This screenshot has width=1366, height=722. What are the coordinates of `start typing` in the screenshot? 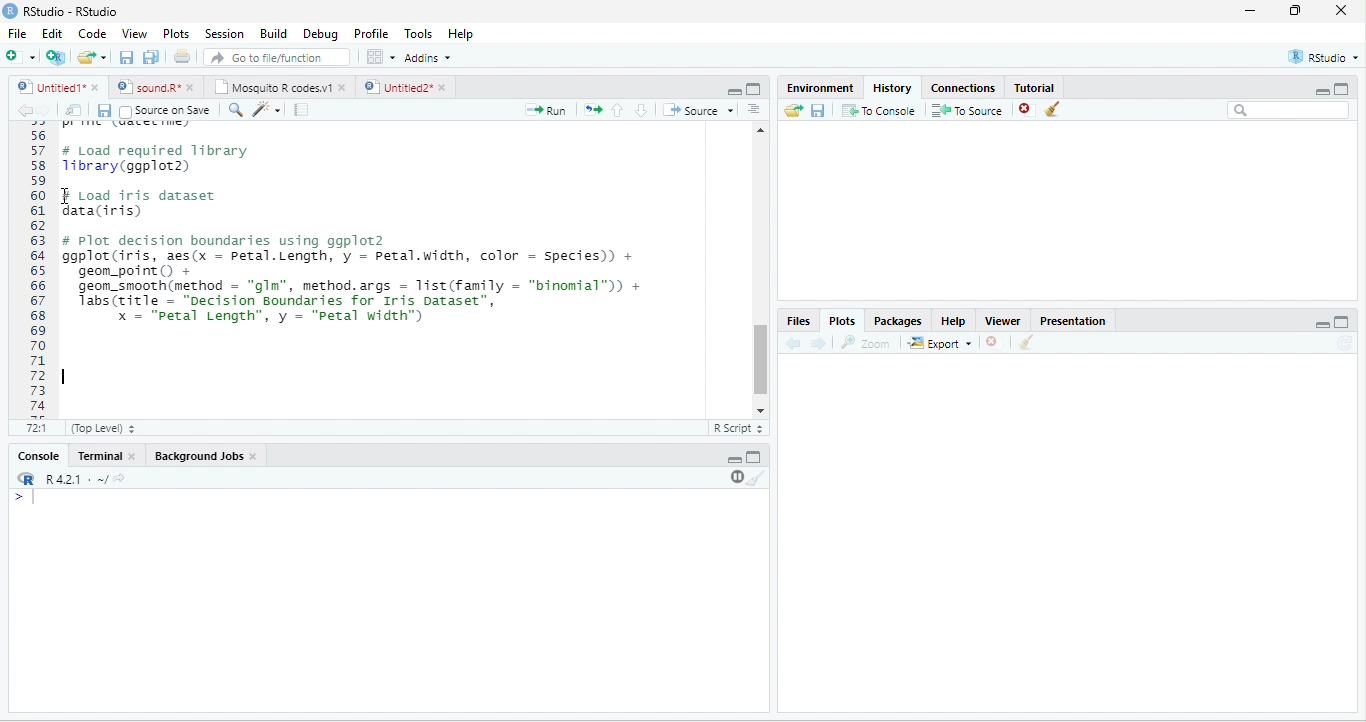 It's located at (28, 498).